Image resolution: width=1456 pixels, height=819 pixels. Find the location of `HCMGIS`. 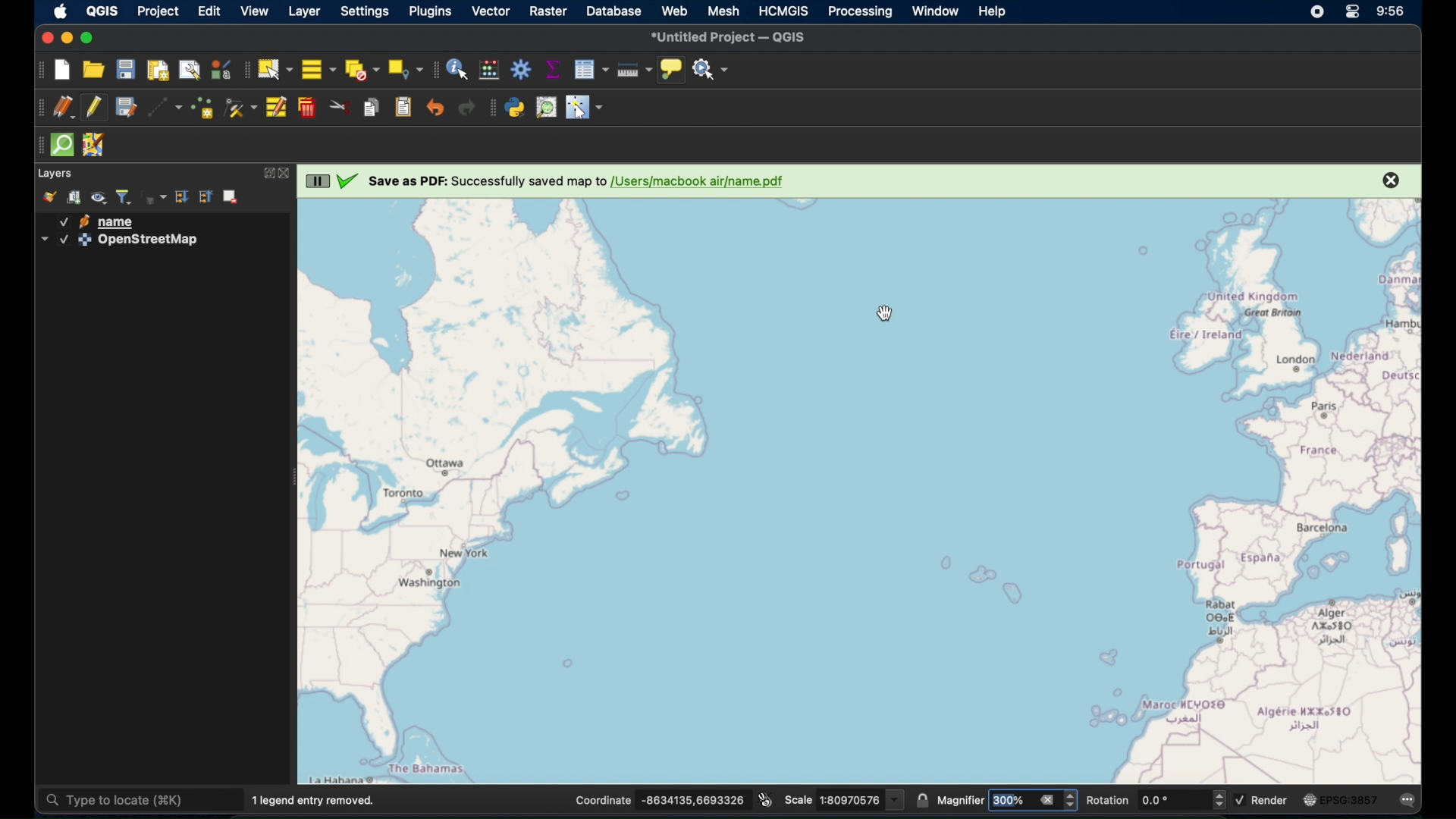

HCMGIS is located at coordinates (783, 11).